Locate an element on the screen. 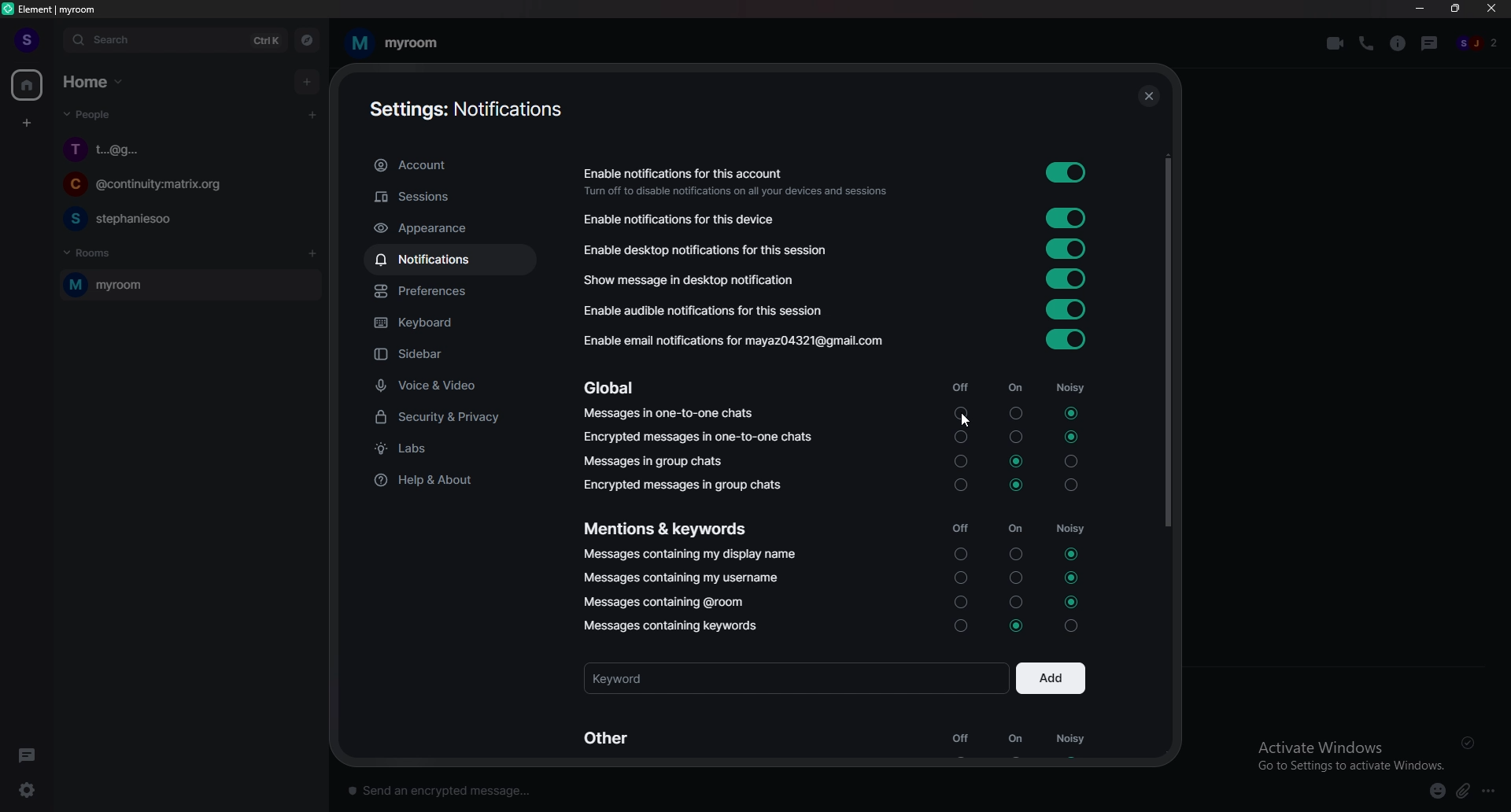  cursor is located at coordinates (970, 421).